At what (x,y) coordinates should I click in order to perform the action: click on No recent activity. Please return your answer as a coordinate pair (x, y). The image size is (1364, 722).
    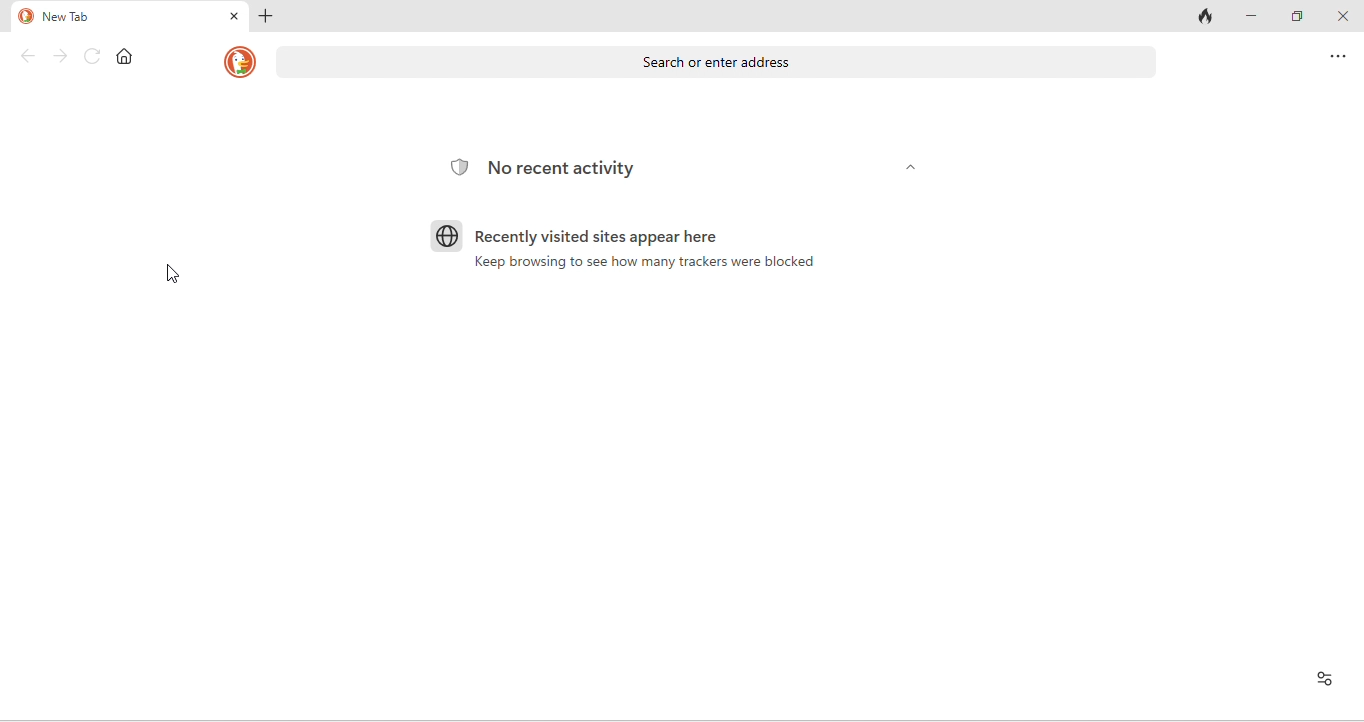
    Looking at the image, I should click on (567, 167).